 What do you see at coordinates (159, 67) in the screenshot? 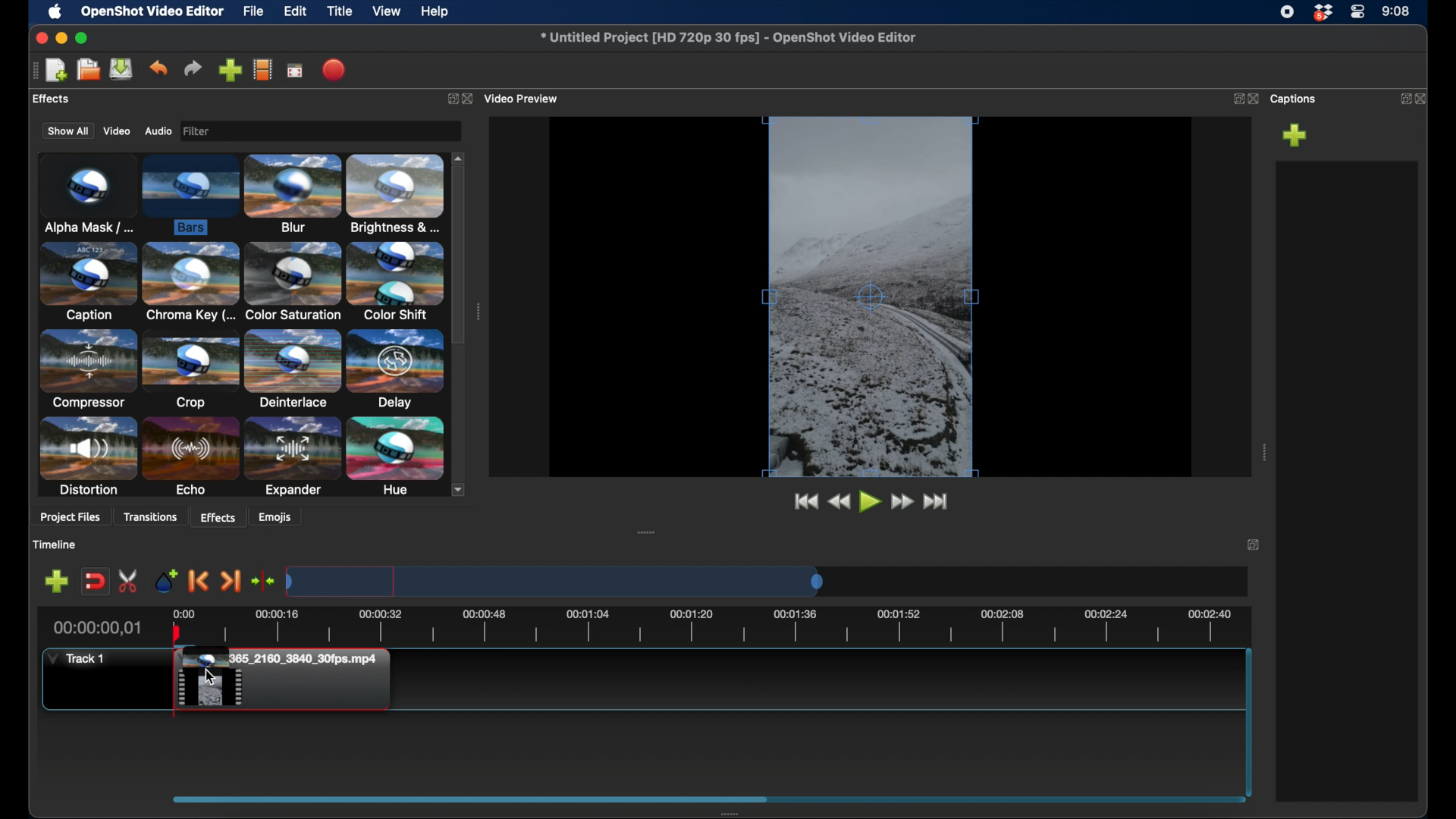
I see `undo` at bounding box center [159, 67].